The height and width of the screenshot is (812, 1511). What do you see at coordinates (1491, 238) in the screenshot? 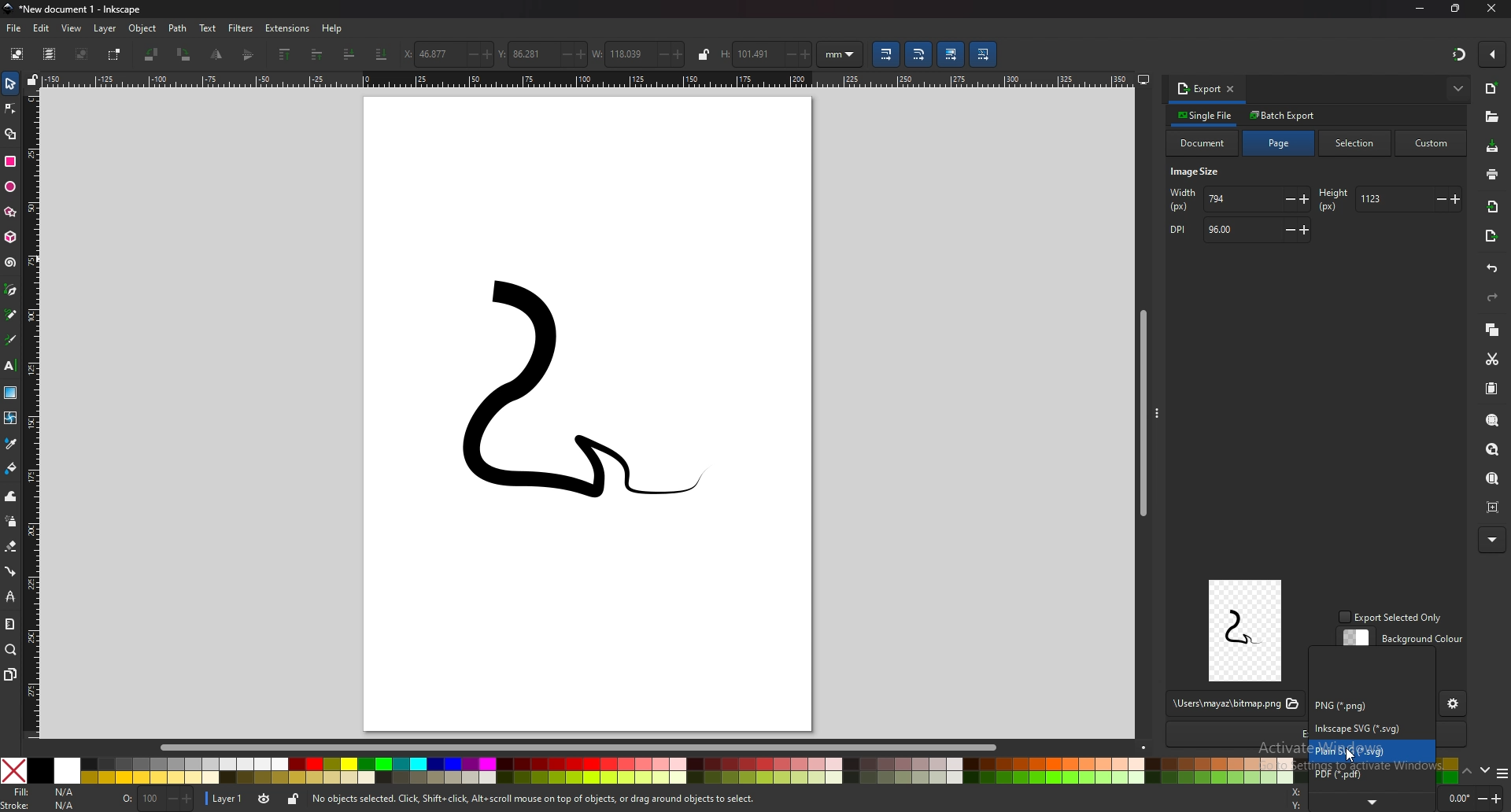
I see `export` at bounding box center [1491, 238].